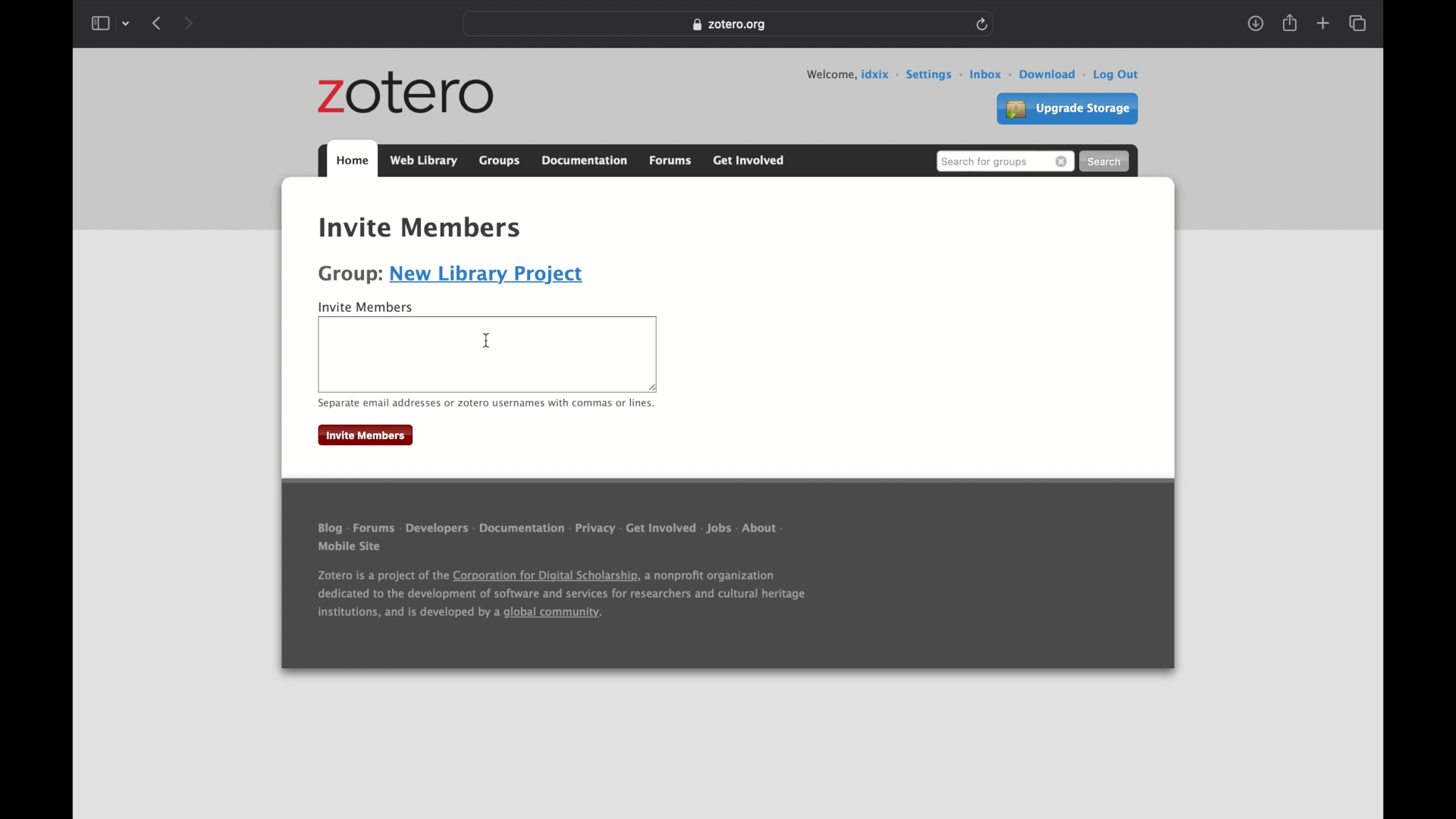  What do you see at coordinates (127, 23) in the screenshot?
I see `tab group picker` at bounding box center [127, 23].